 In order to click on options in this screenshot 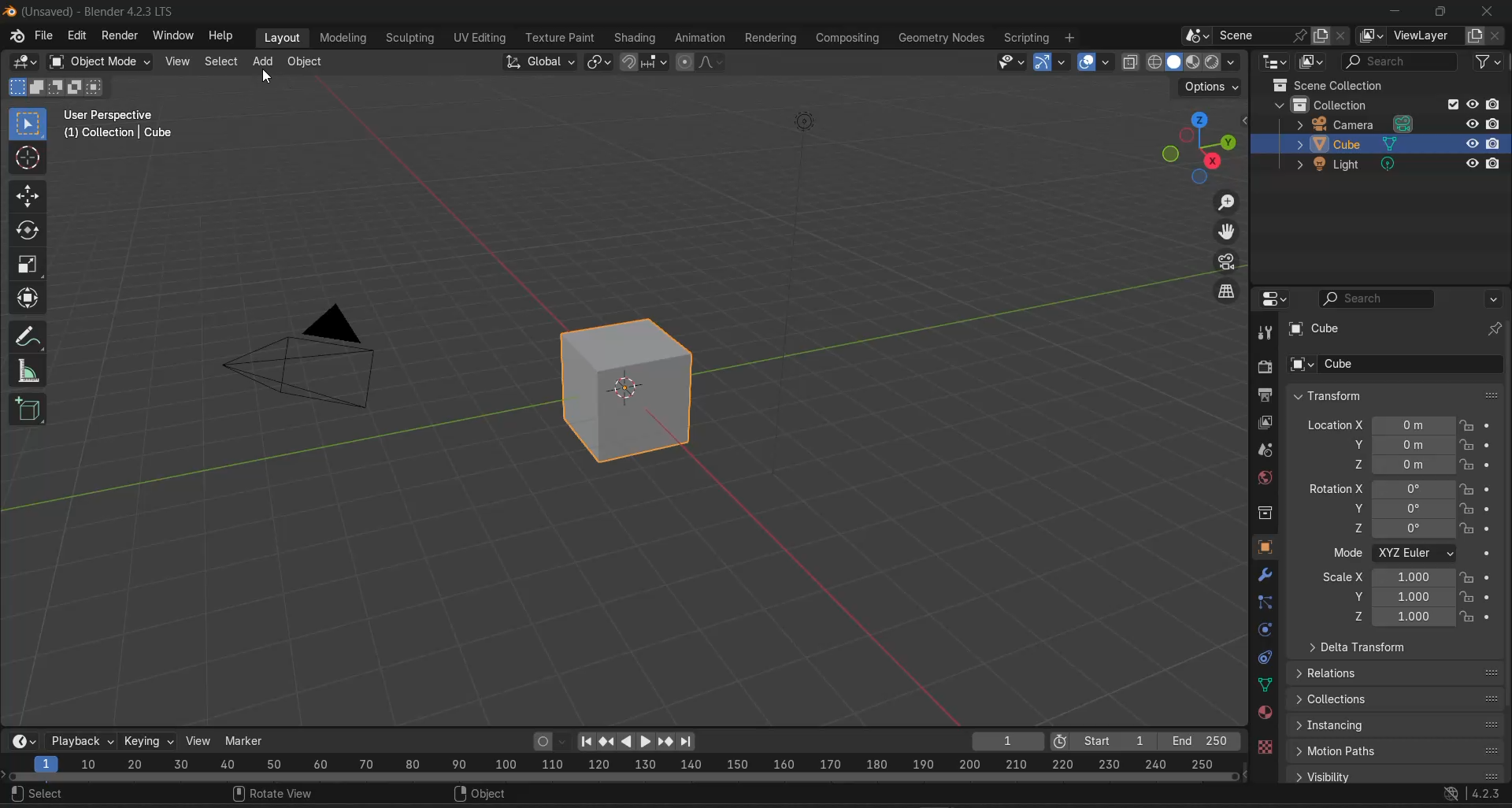, I will do `click(1212, 88)`.